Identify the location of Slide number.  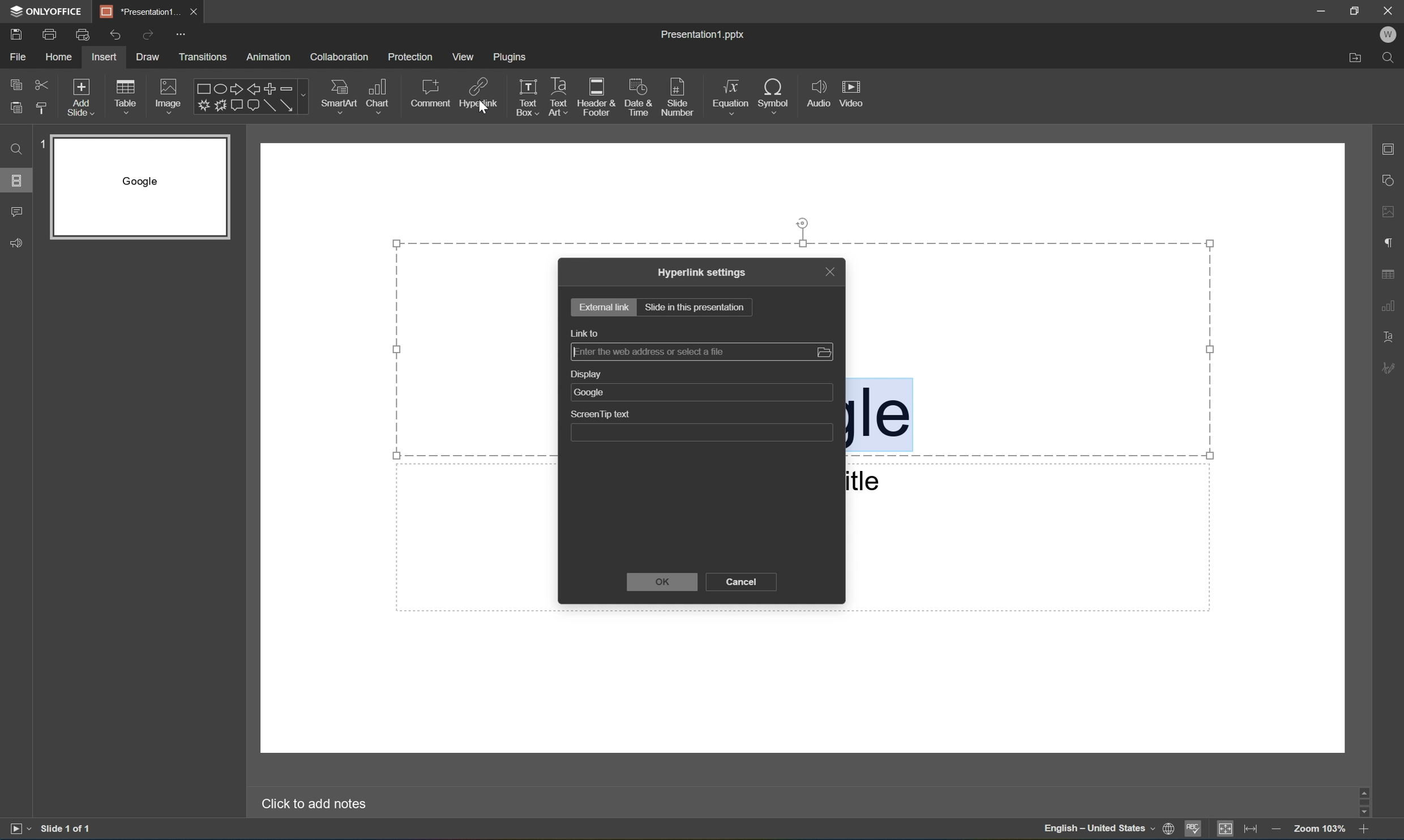
(682, 96).